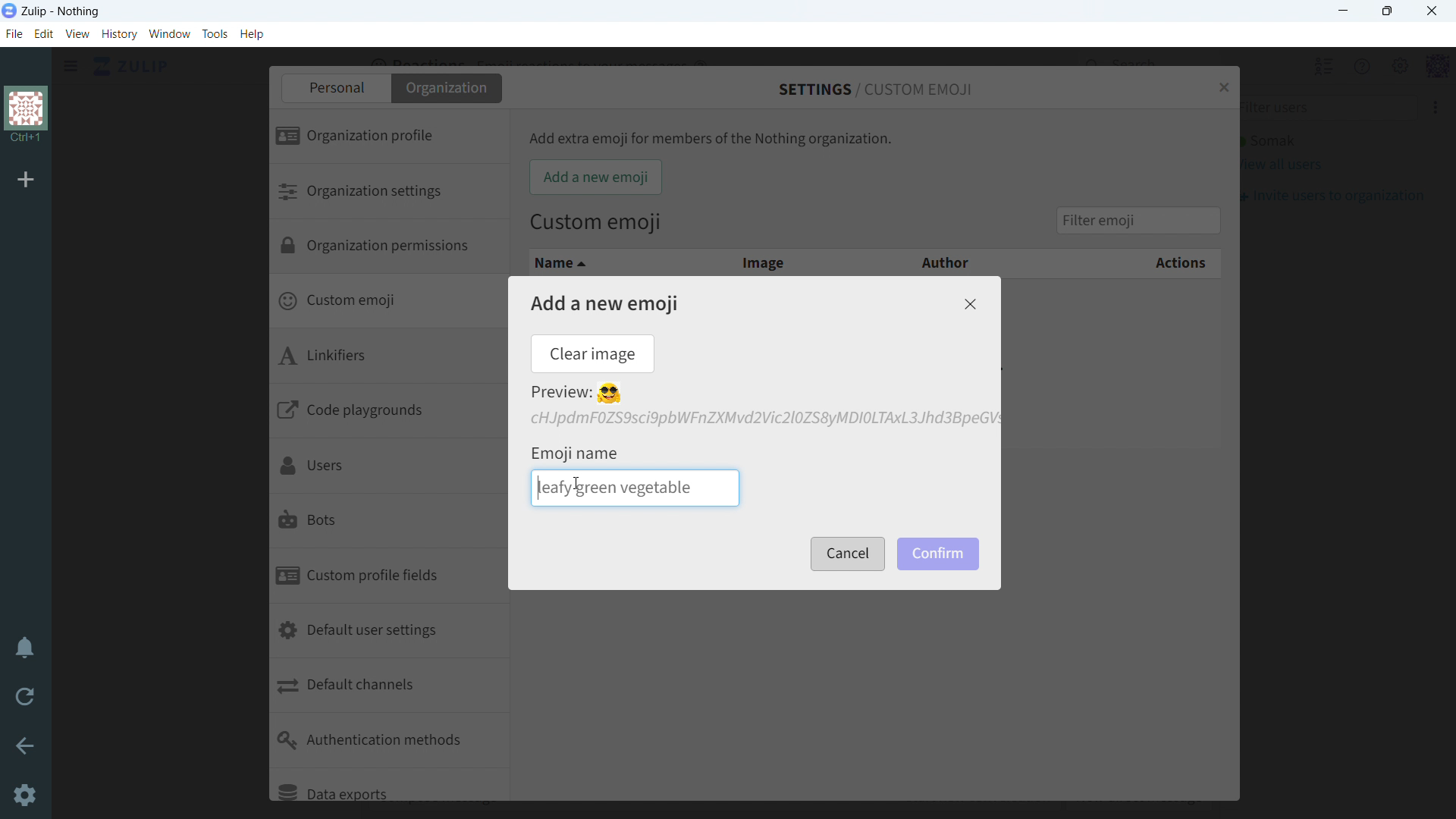 Image resolution: width=1456 pixels, height=819 pixels. Describe the element at coordinates (252, 34) in the screenshot. I see `help` at that location.